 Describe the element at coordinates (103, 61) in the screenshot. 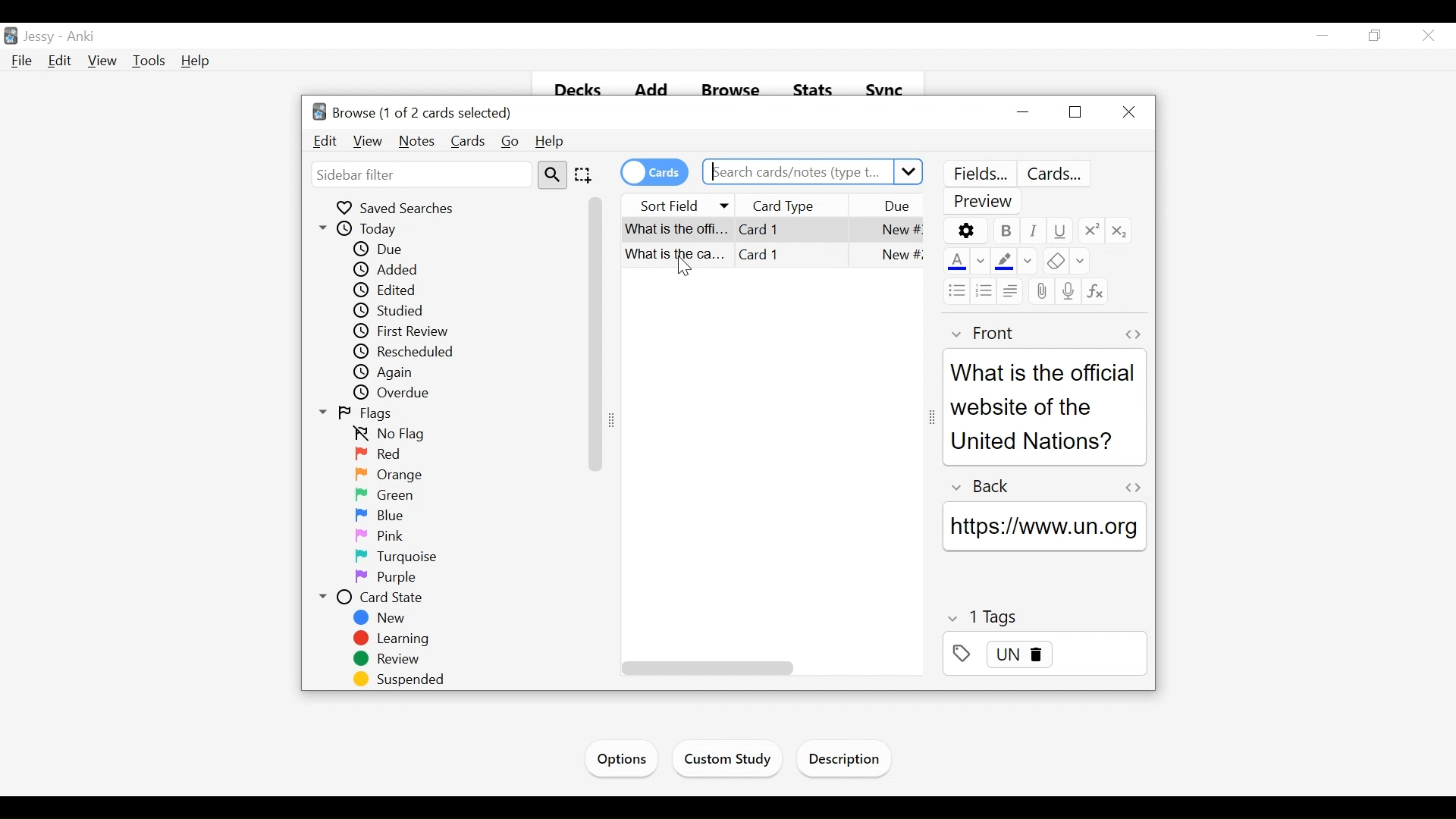

I see `View` at that location.